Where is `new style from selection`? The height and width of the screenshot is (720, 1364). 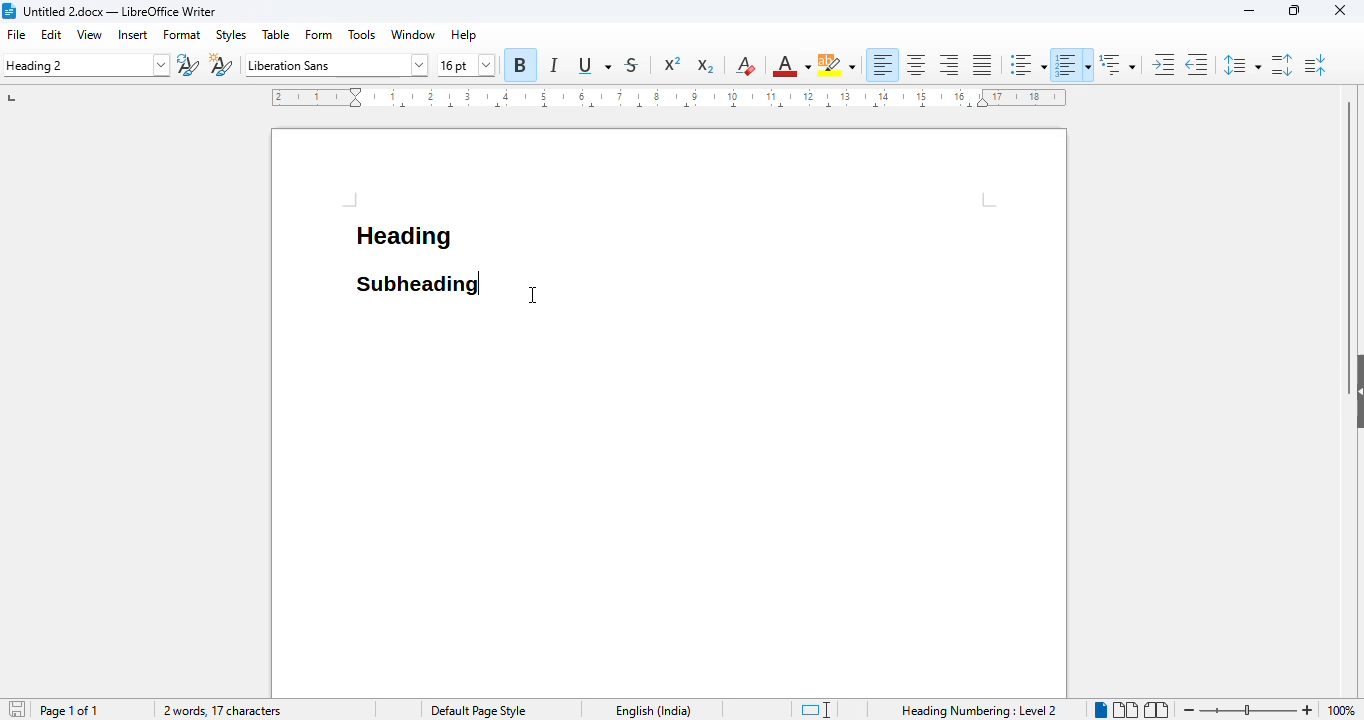 new style from selection is located at coordinates (220, 65).